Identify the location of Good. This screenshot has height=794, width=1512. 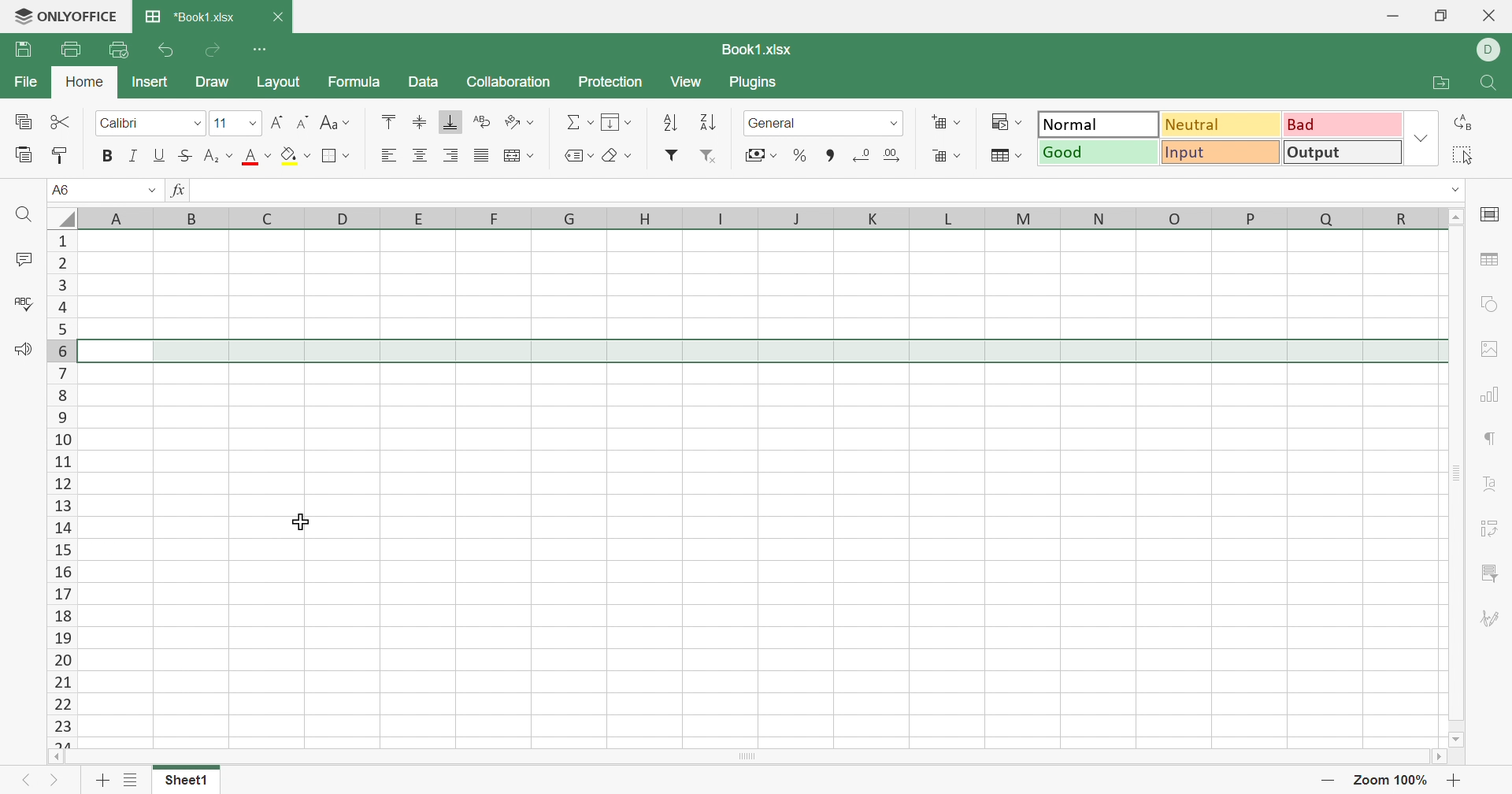
(1099, 153).